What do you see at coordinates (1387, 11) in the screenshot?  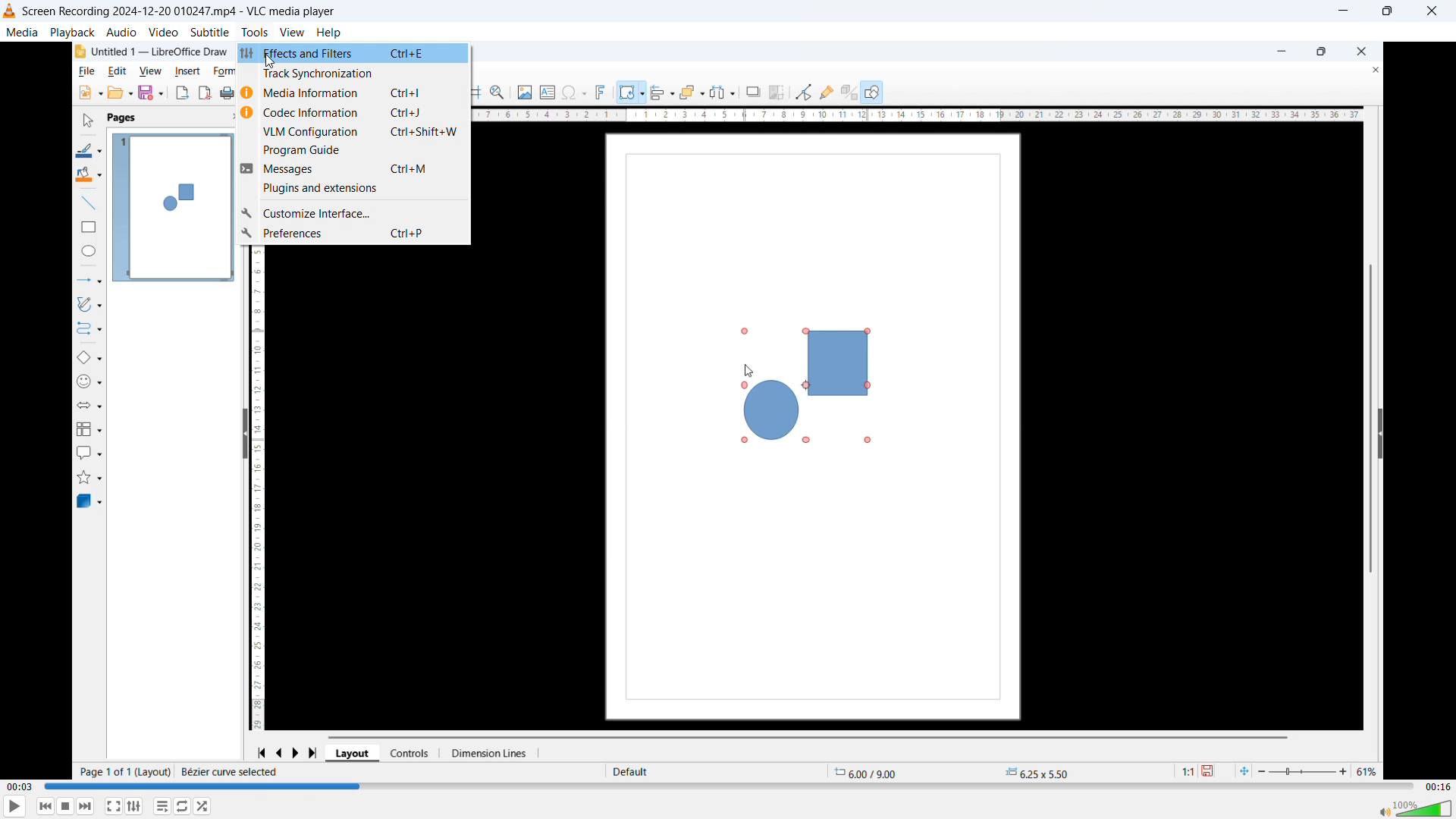 I see `Maximize ` at bounding box center [1387, 11].